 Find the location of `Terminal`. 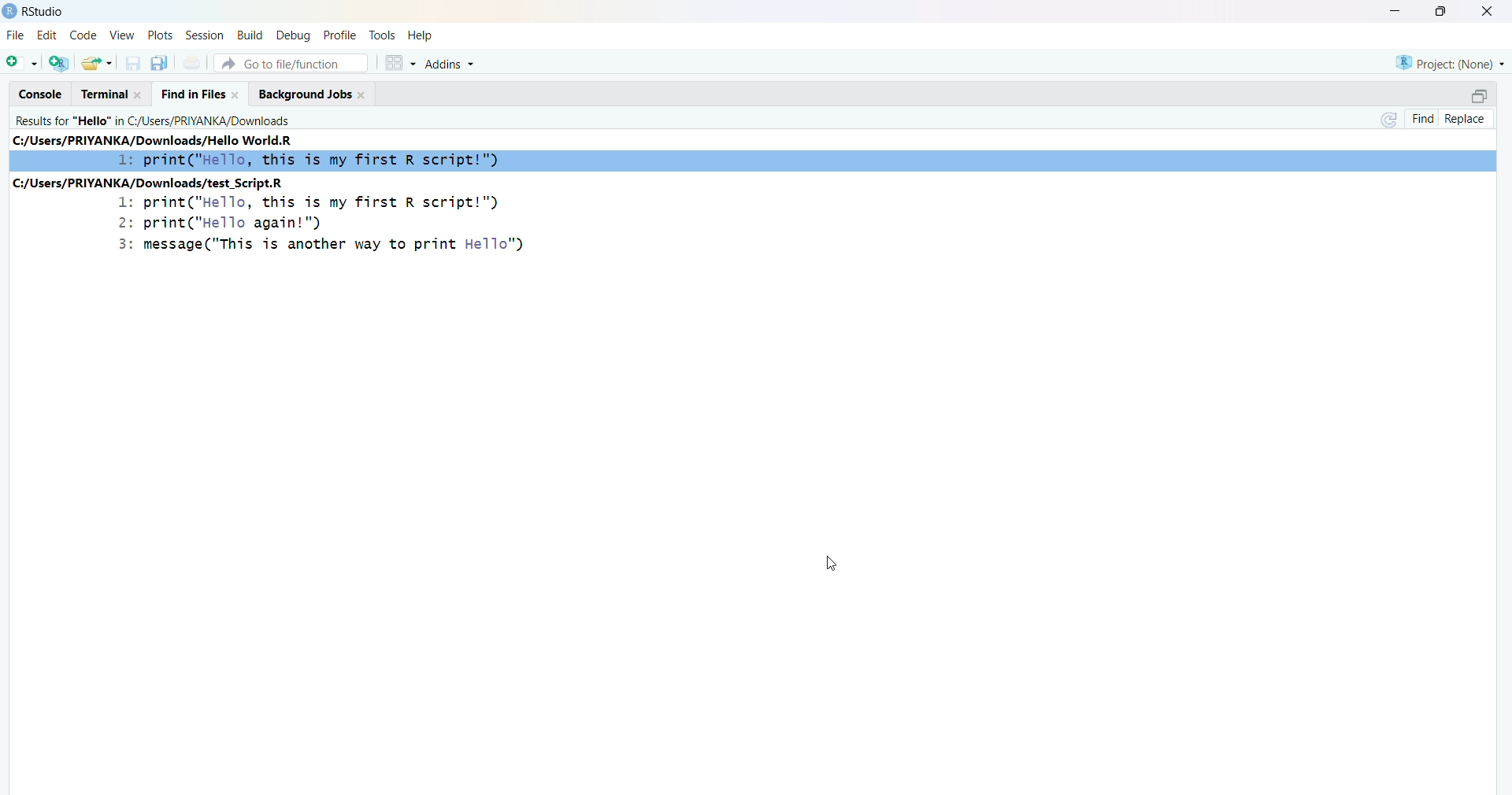

Terminal is located at coordinates (106, 94).